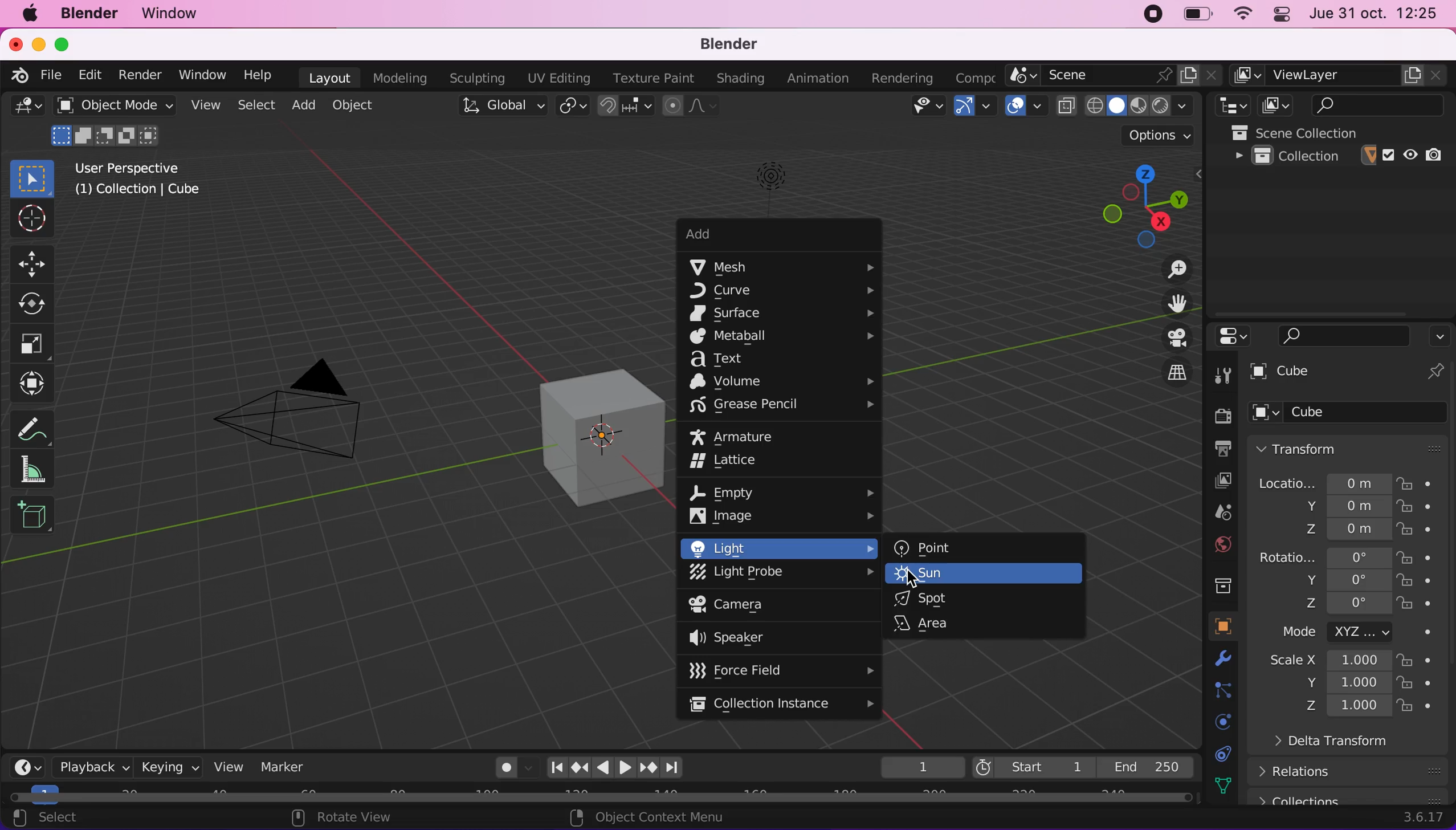 The height and width of the screenshot is (830, 1456). I want to click on options, so click(1439, 333).